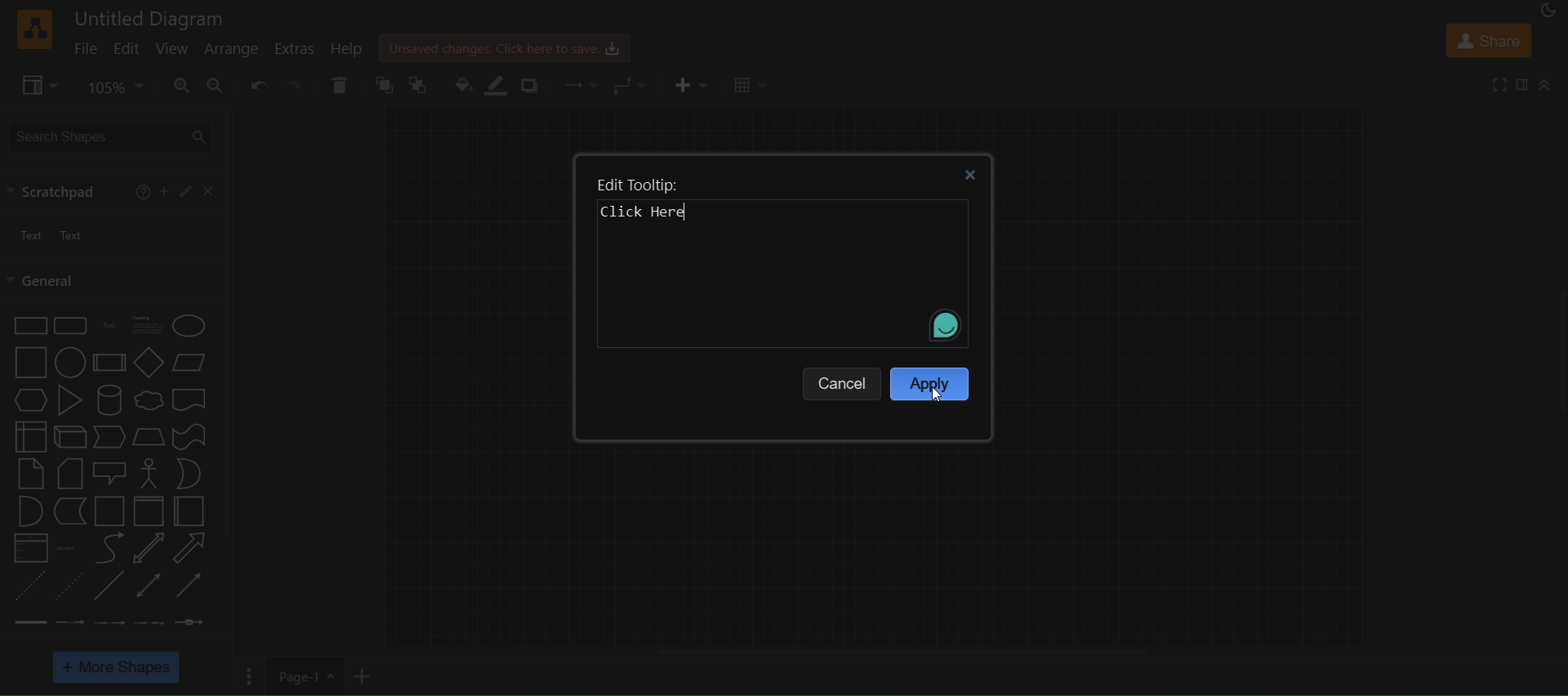  What do you see at coordinates (902, 651) in the screenshot?
I see `horizontal scroll bar` at bounding box center [902, 651].